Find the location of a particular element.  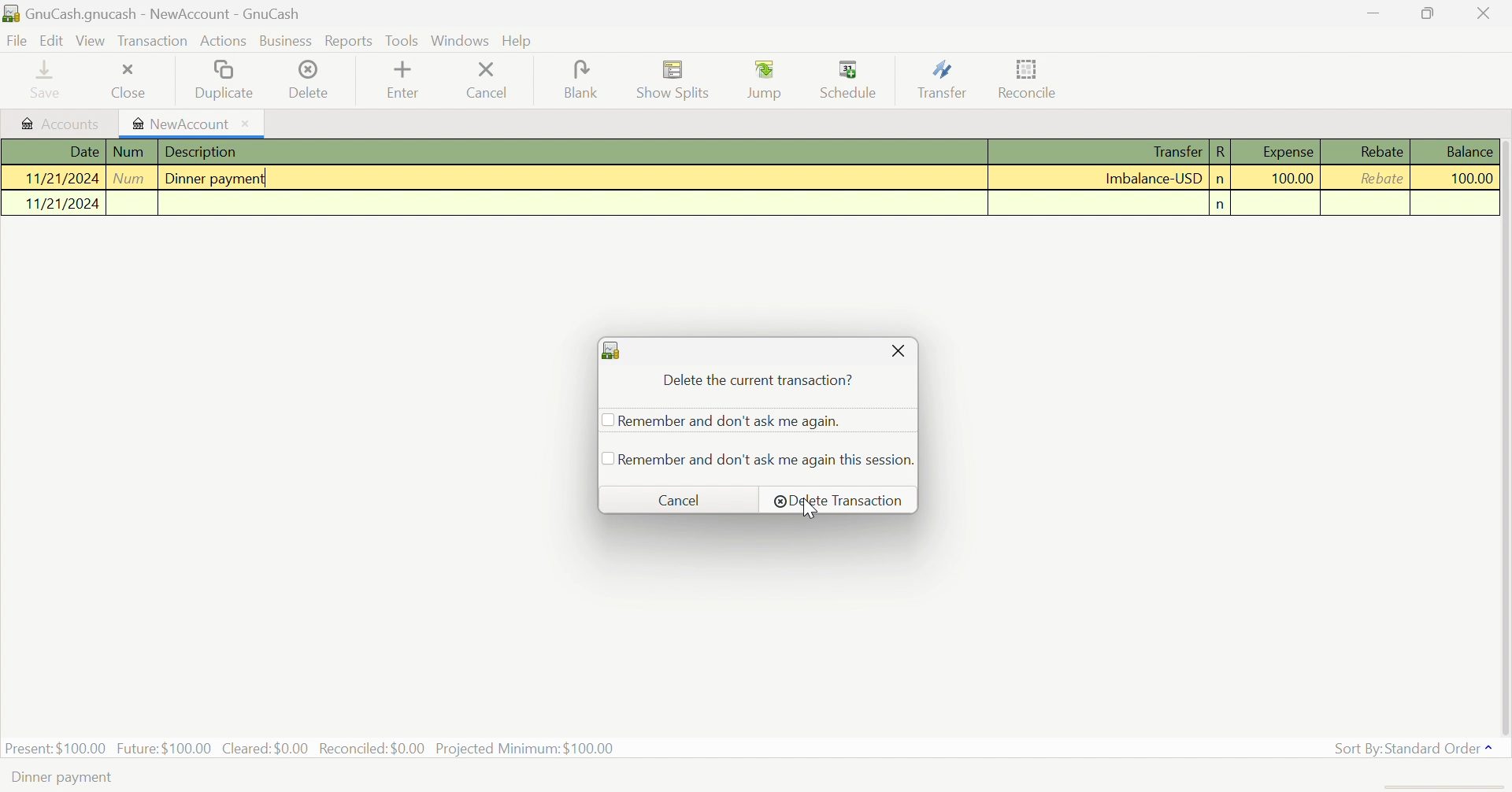

Remember and don't ask me again this session. is located at coordinates (768, 458).